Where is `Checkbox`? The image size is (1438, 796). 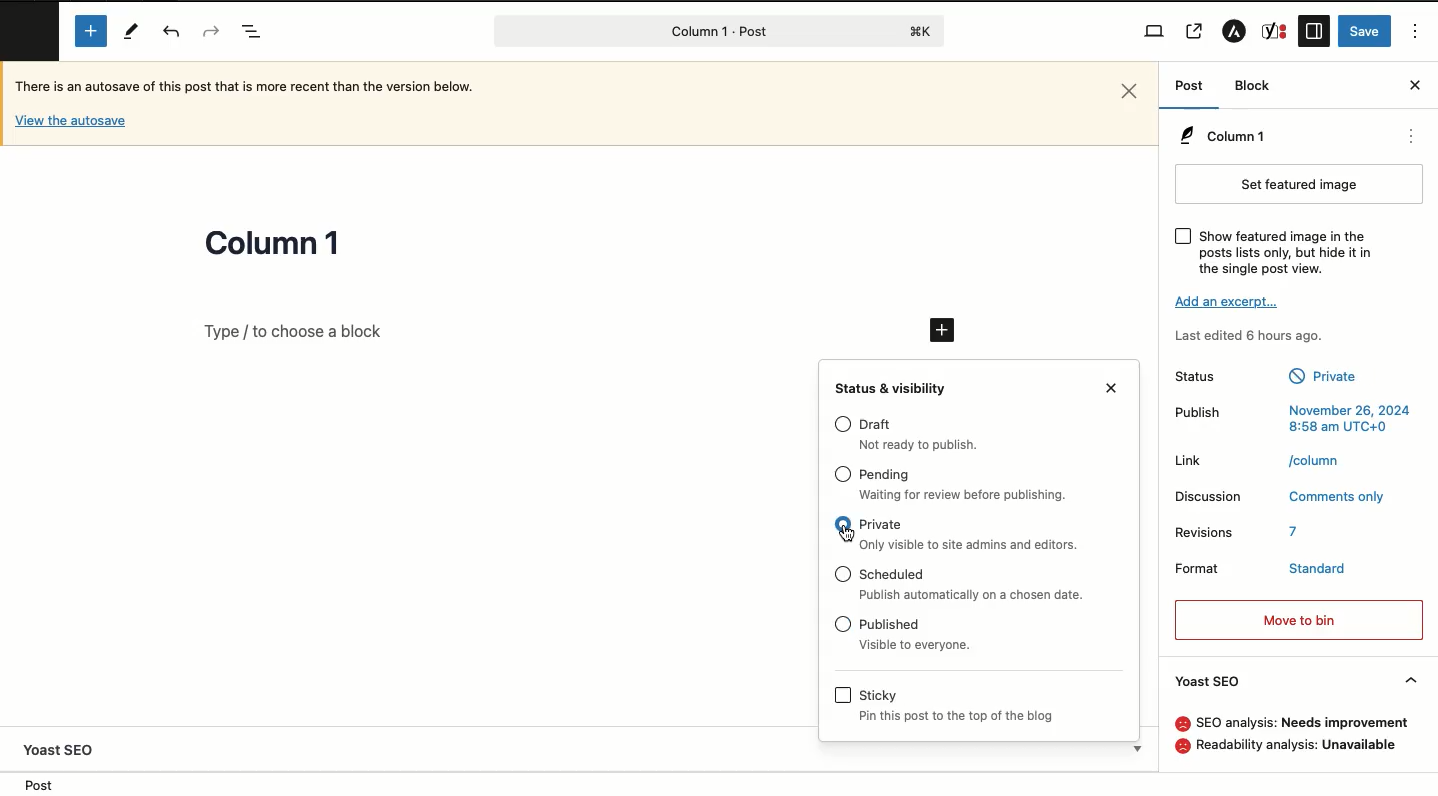 Checkbox is located at coordinates (843, 422).